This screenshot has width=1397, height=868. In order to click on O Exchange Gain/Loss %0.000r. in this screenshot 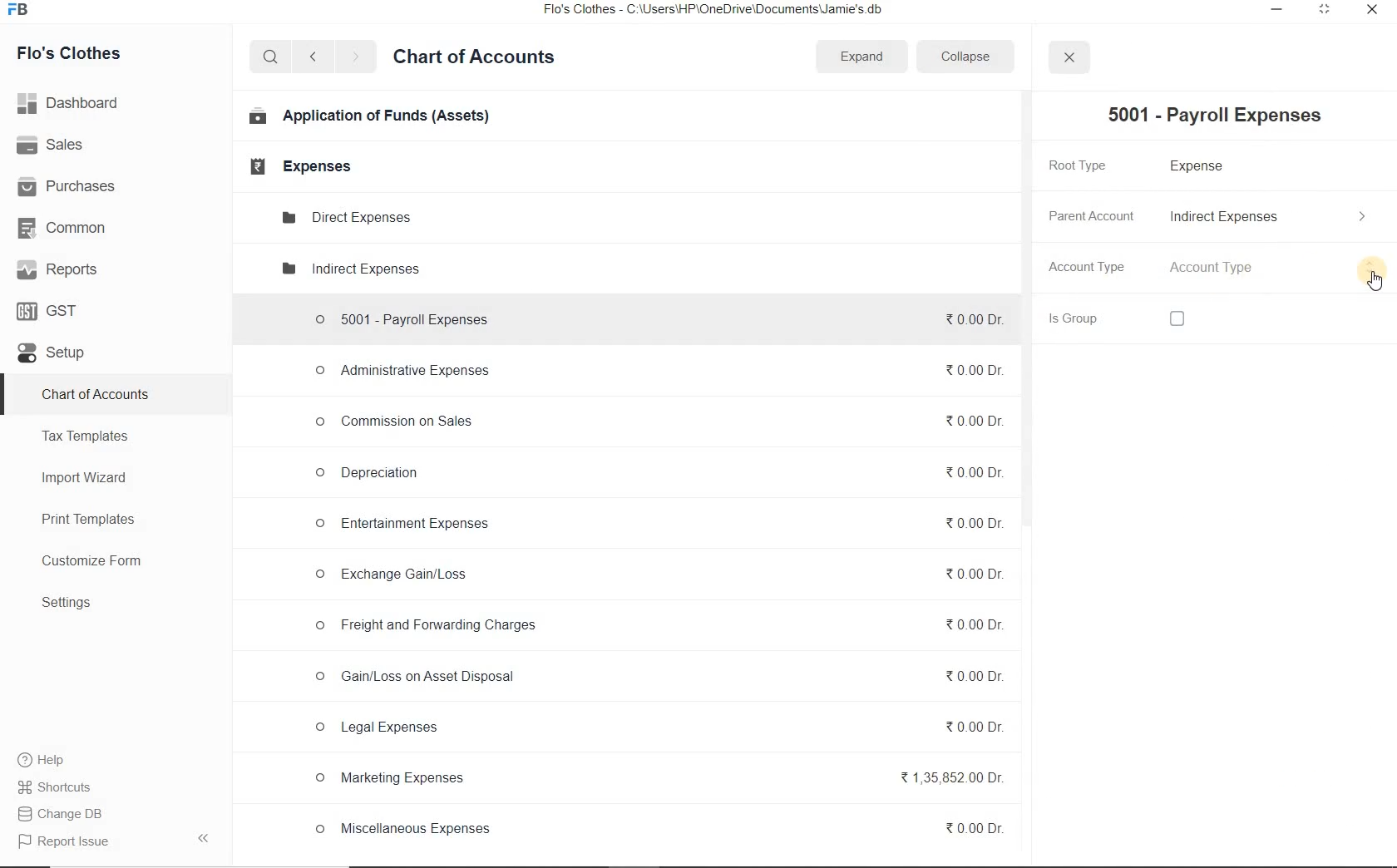, I will do `click(654, 575)`.